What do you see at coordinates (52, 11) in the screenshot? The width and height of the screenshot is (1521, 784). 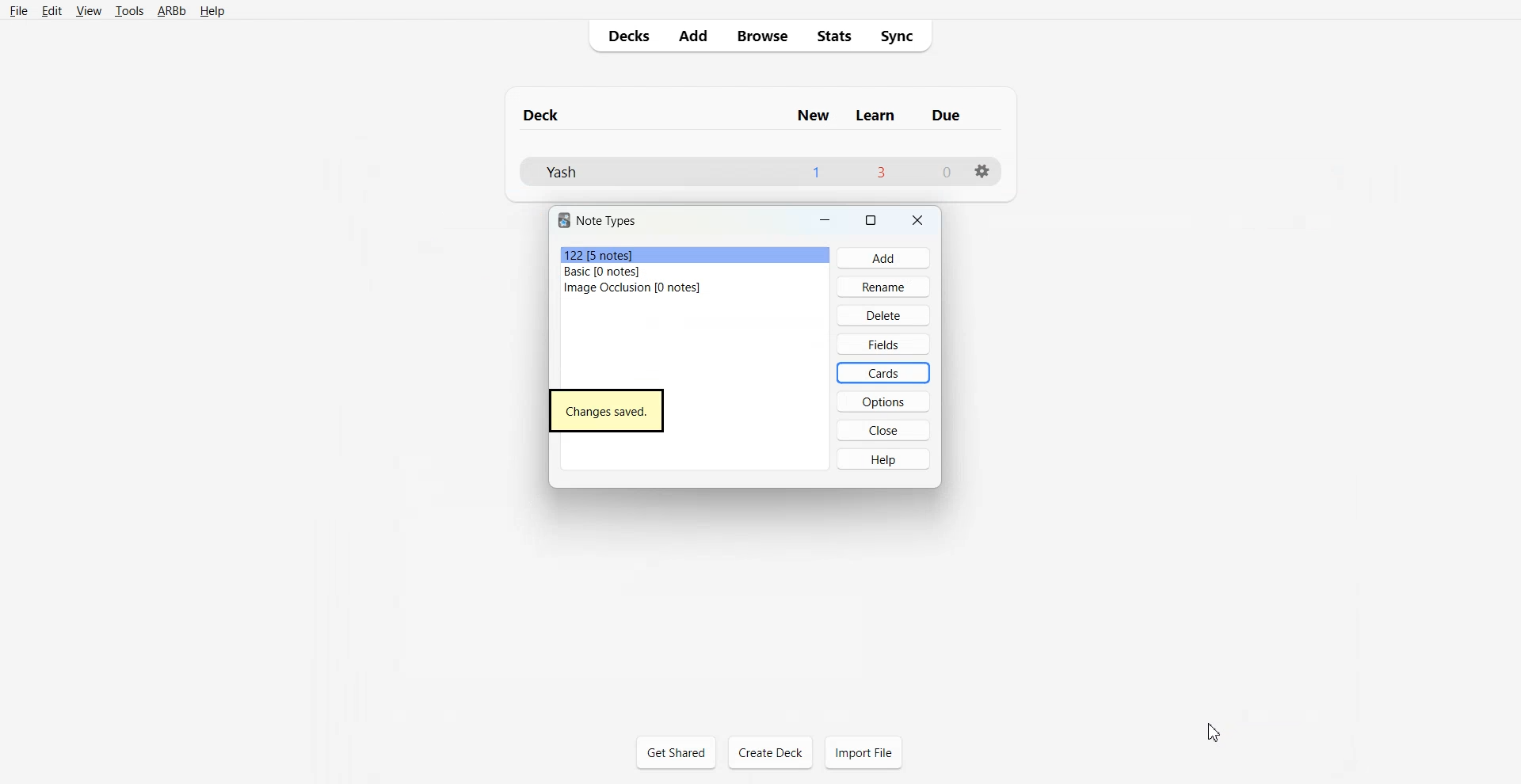 I see `Edit` at bounding box center [52, 11].